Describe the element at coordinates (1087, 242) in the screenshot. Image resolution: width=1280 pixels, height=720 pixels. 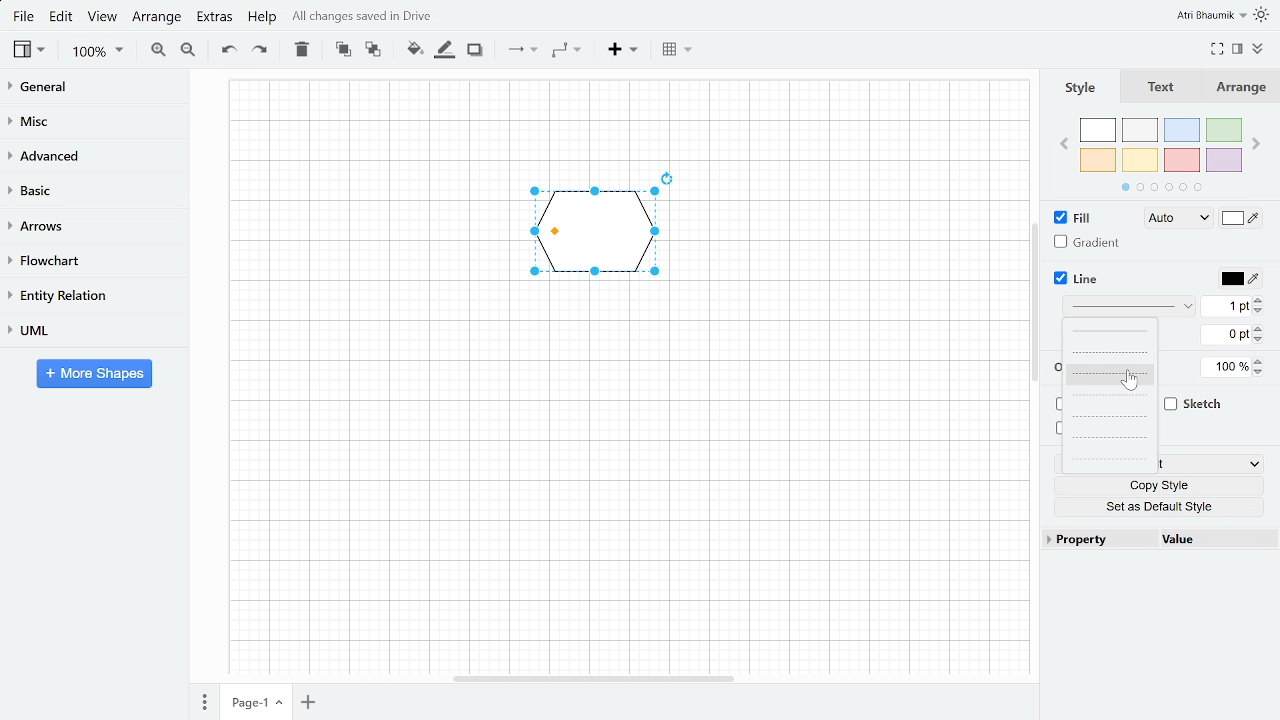
I see `Gradient` at that location.